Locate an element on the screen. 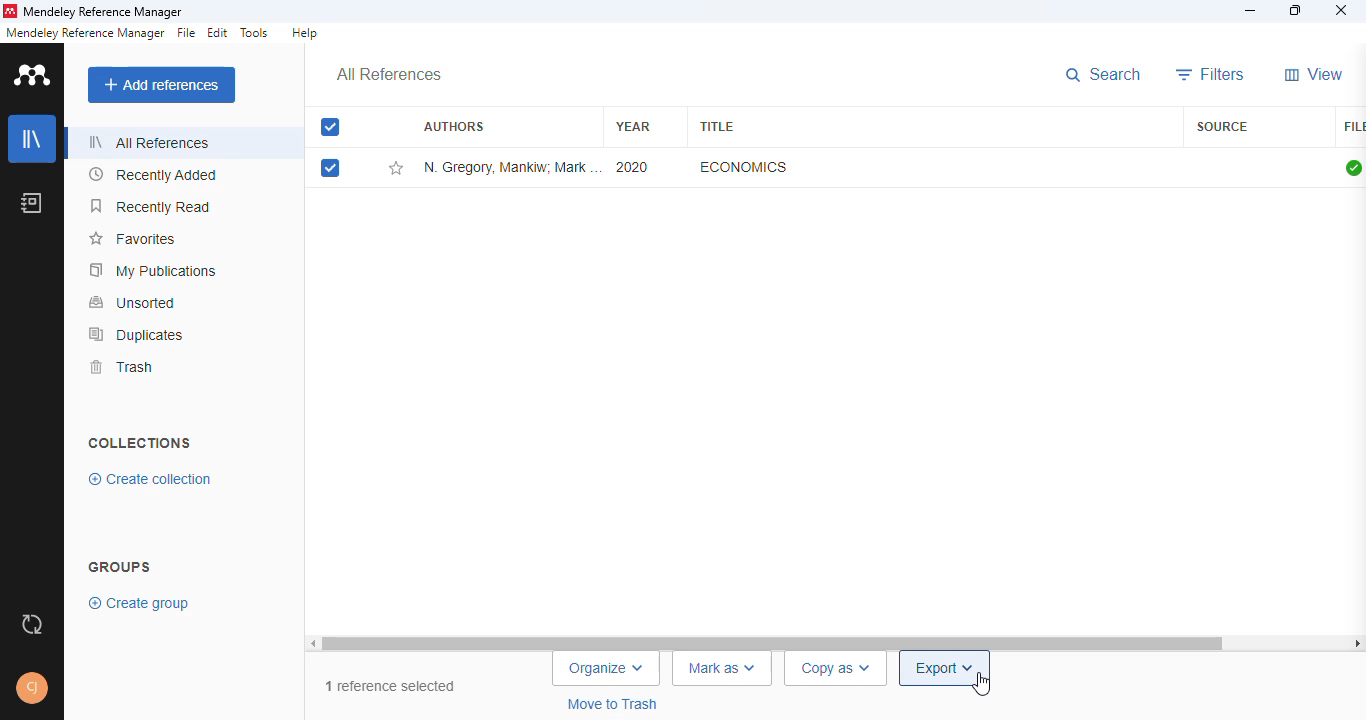 The image size is (1366, 720). all files downloaded is located at coordinates (1353, 168).